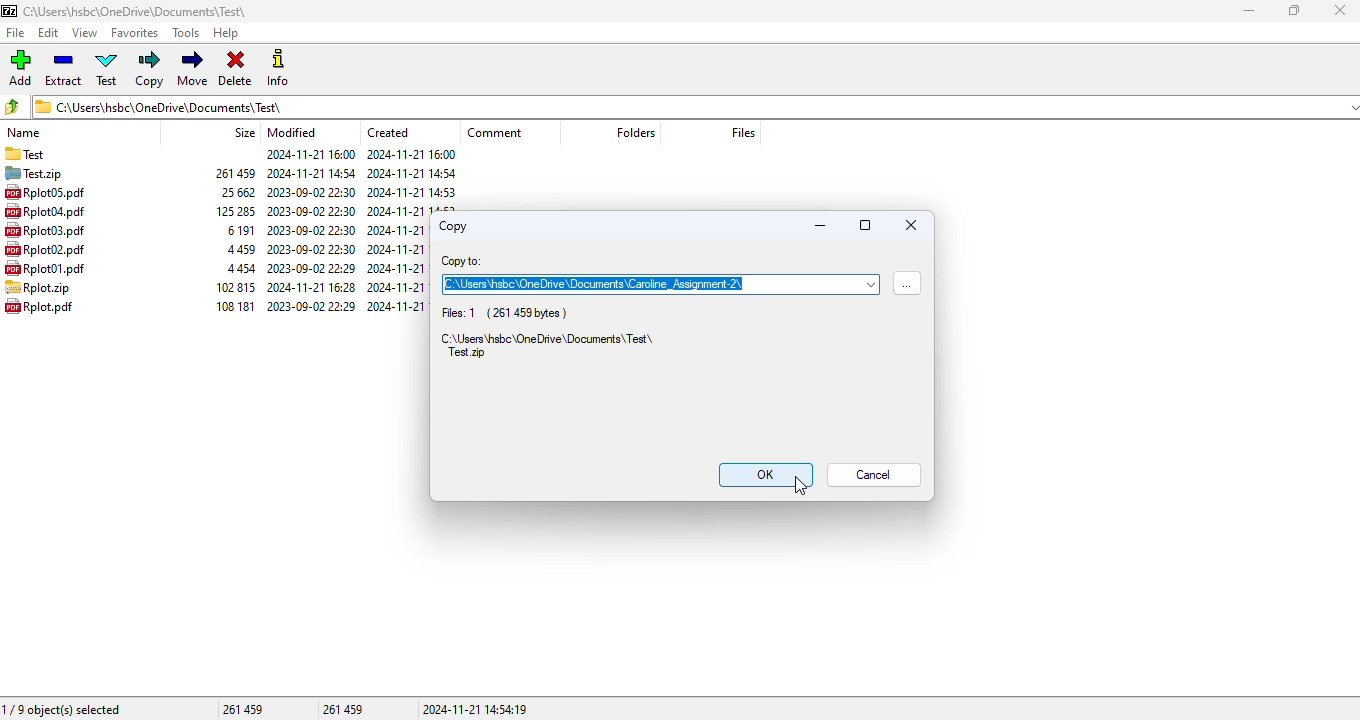  What do you see at coordinates (194, 69) in the screenshot?
I see `move` at bounding box center [194, 69].